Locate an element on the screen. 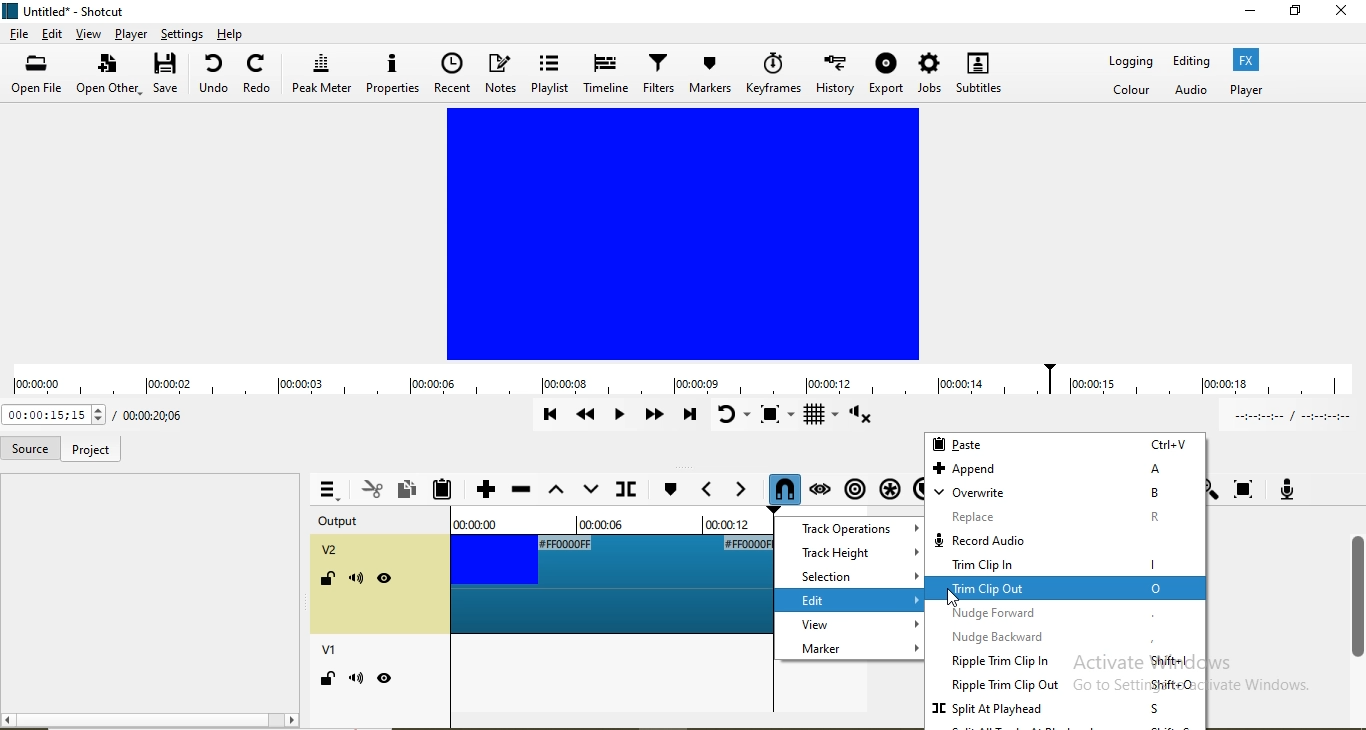 The width and height of the screenshot is (1366, 730). highlighted is located at coordinates (1067, 586).